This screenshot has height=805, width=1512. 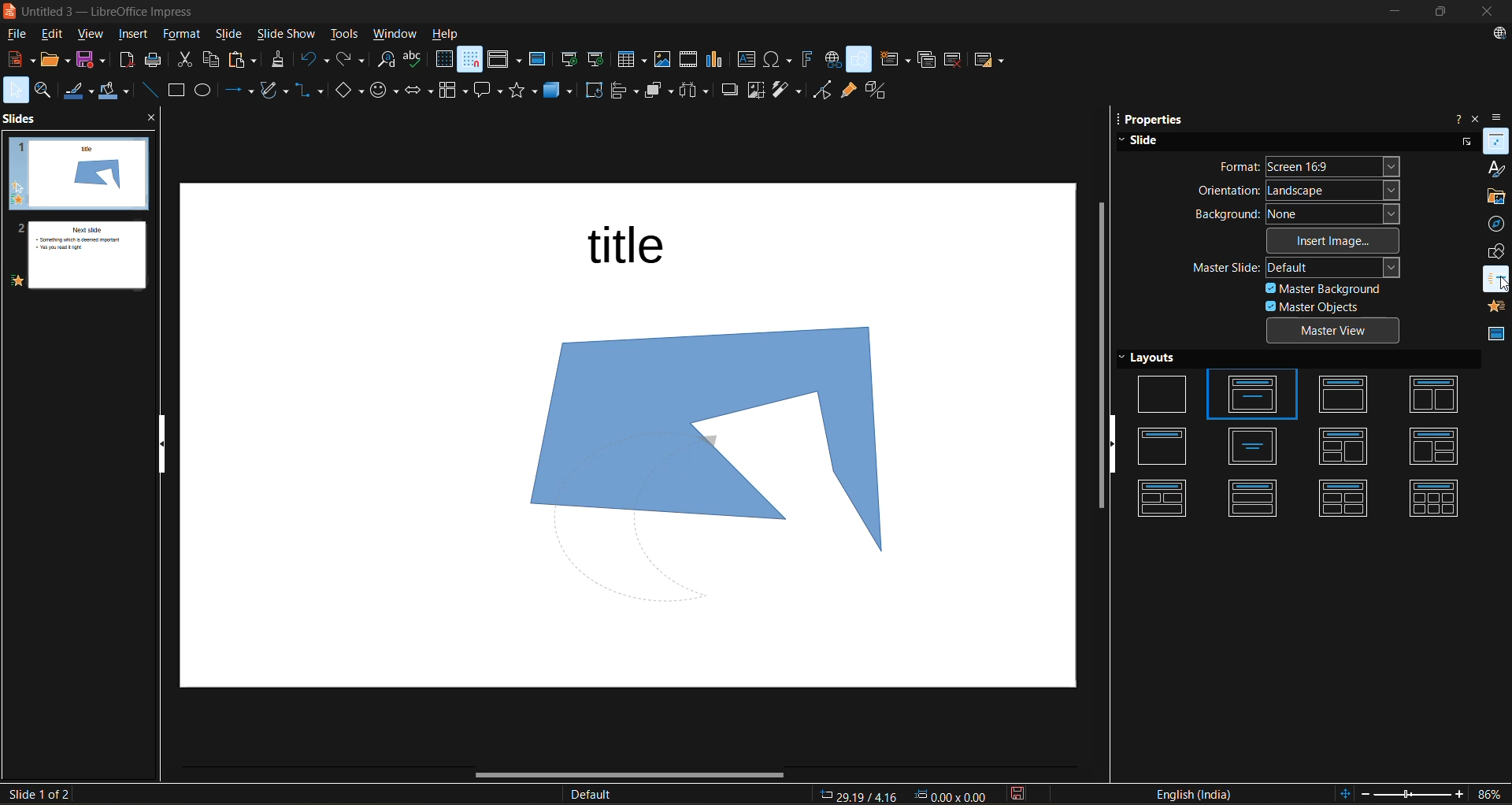 What do you see at coordinates (625, 92) in the screenshot?
I see `align objects` at bounding box center [625, 92].